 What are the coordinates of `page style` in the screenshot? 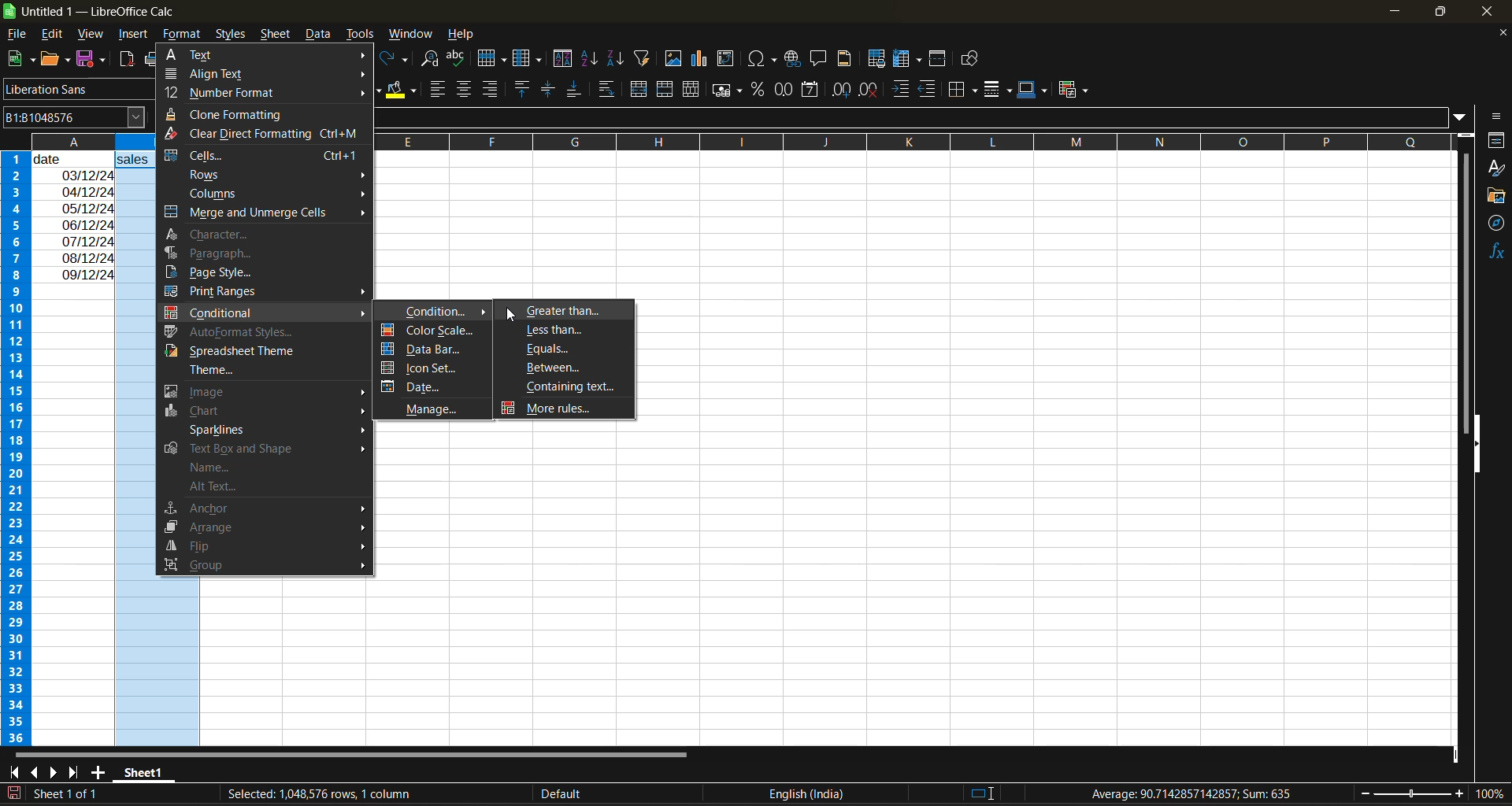 It's located at (220, 272).